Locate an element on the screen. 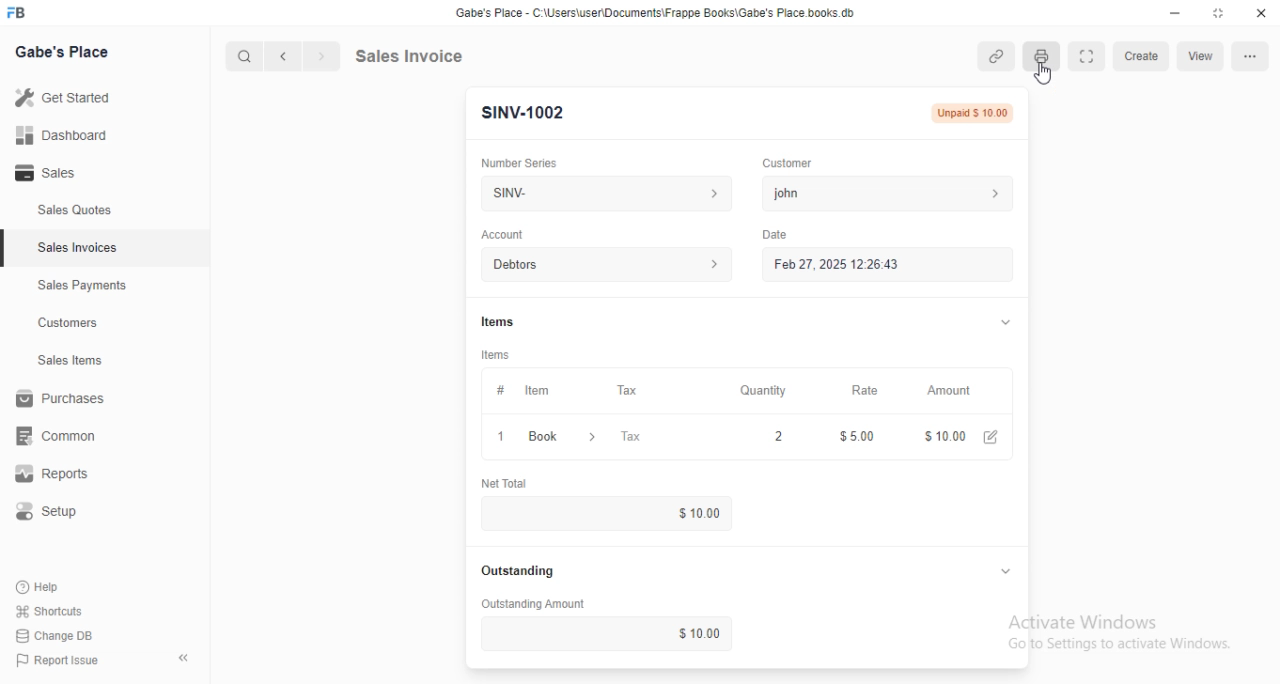 Image resolution: width=1280 pixels, height=684 pixels. SINV- is located at coordinates (579, 193).